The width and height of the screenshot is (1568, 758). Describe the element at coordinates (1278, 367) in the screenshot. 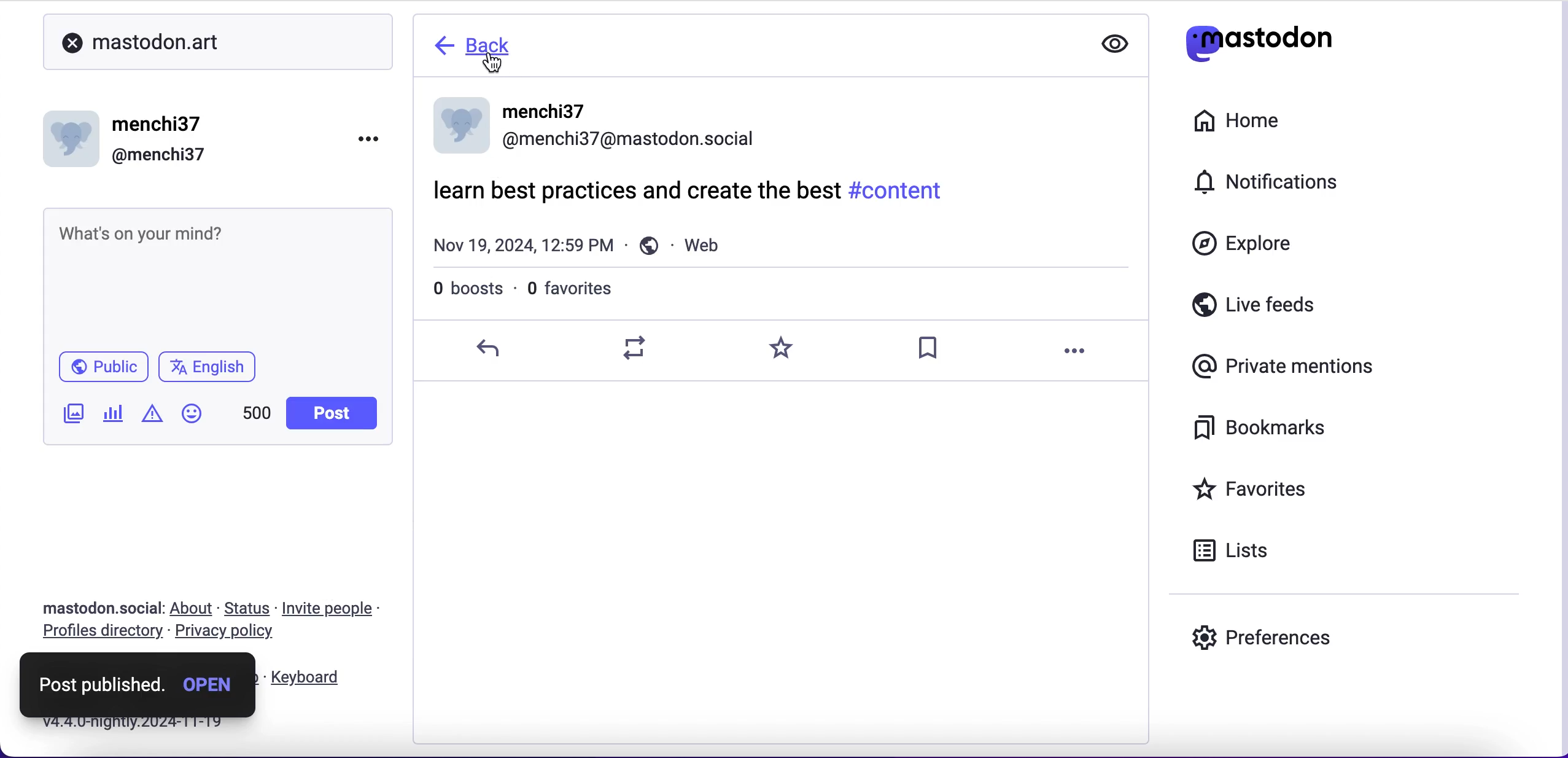

I see `private mentions` at that location.